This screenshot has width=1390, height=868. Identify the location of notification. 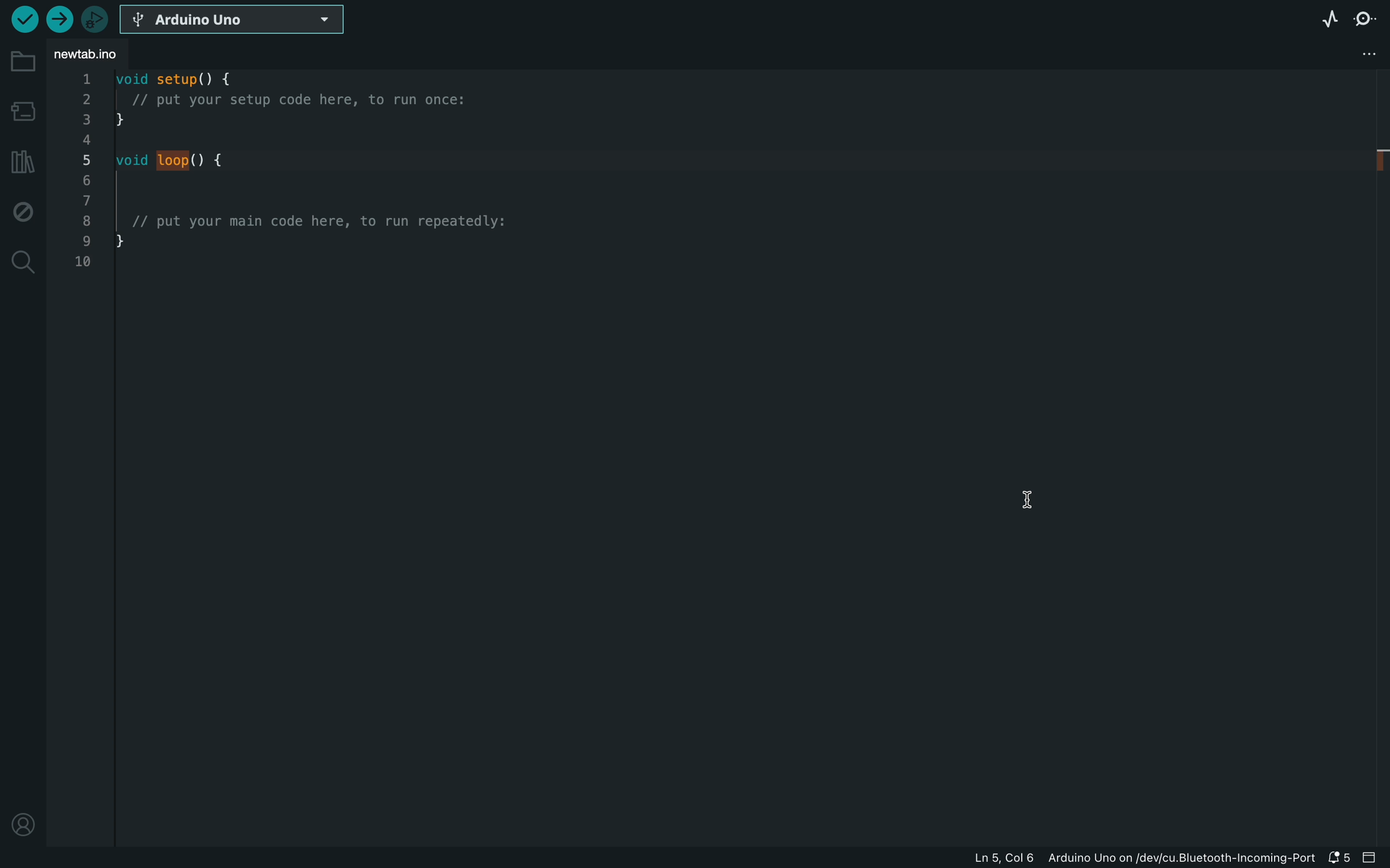
(1342, 854).